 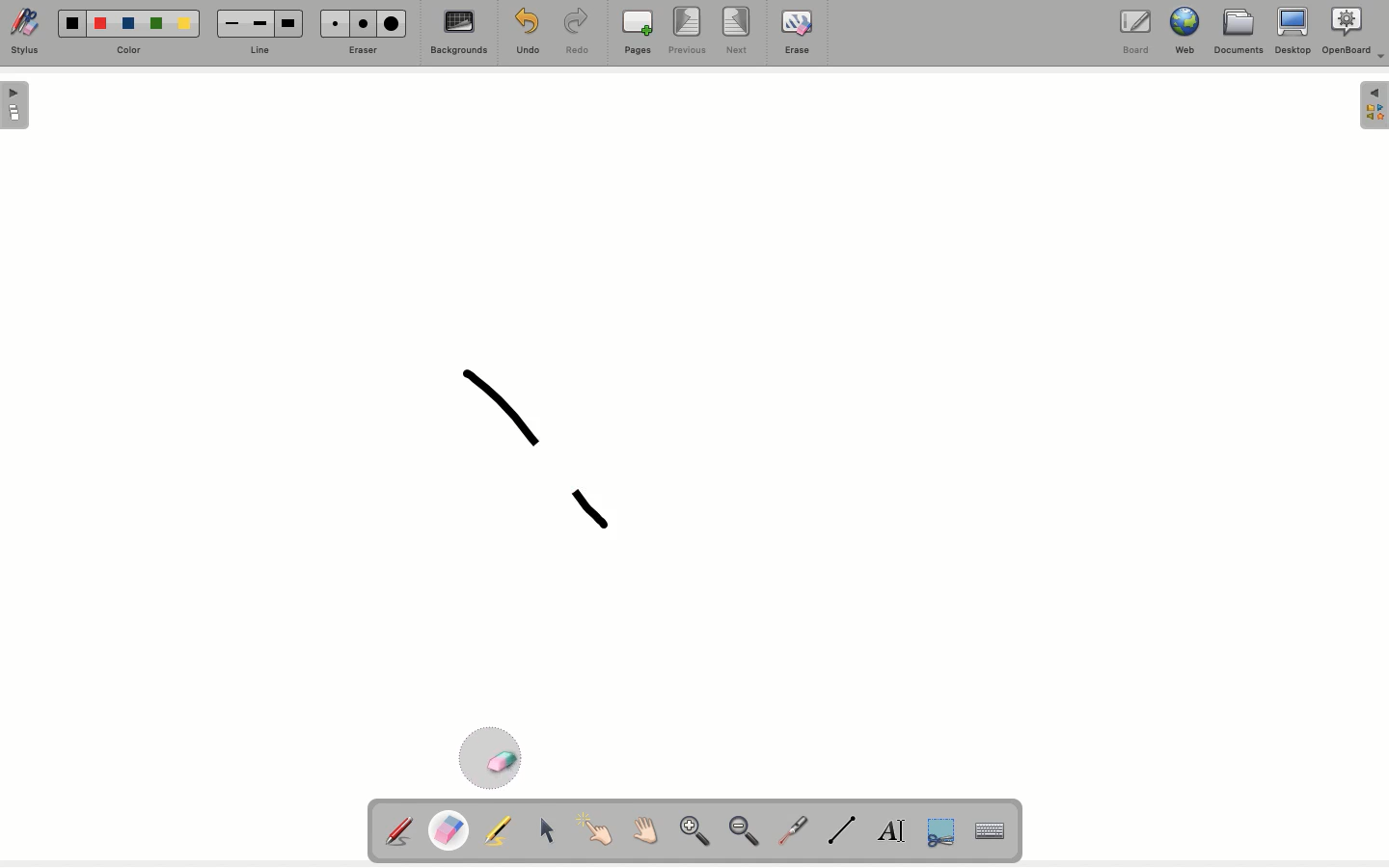 What do you see at coordinates (187, 26) in the screenshot?
I see `Yellow` at bounding box center [187, 26].